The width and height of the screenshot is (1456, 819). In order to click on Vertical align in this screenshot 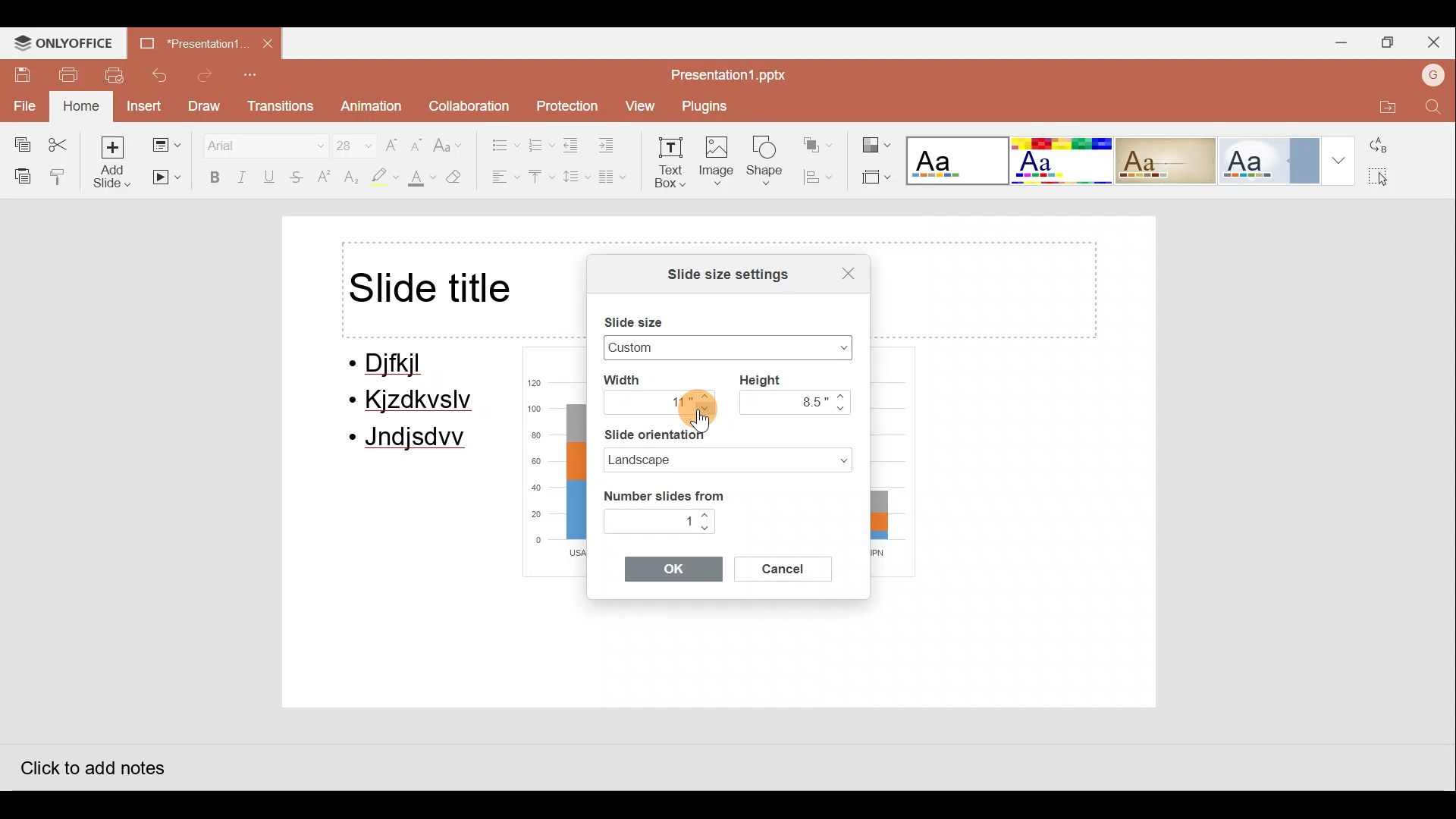, I will do `click(540, 178)`.